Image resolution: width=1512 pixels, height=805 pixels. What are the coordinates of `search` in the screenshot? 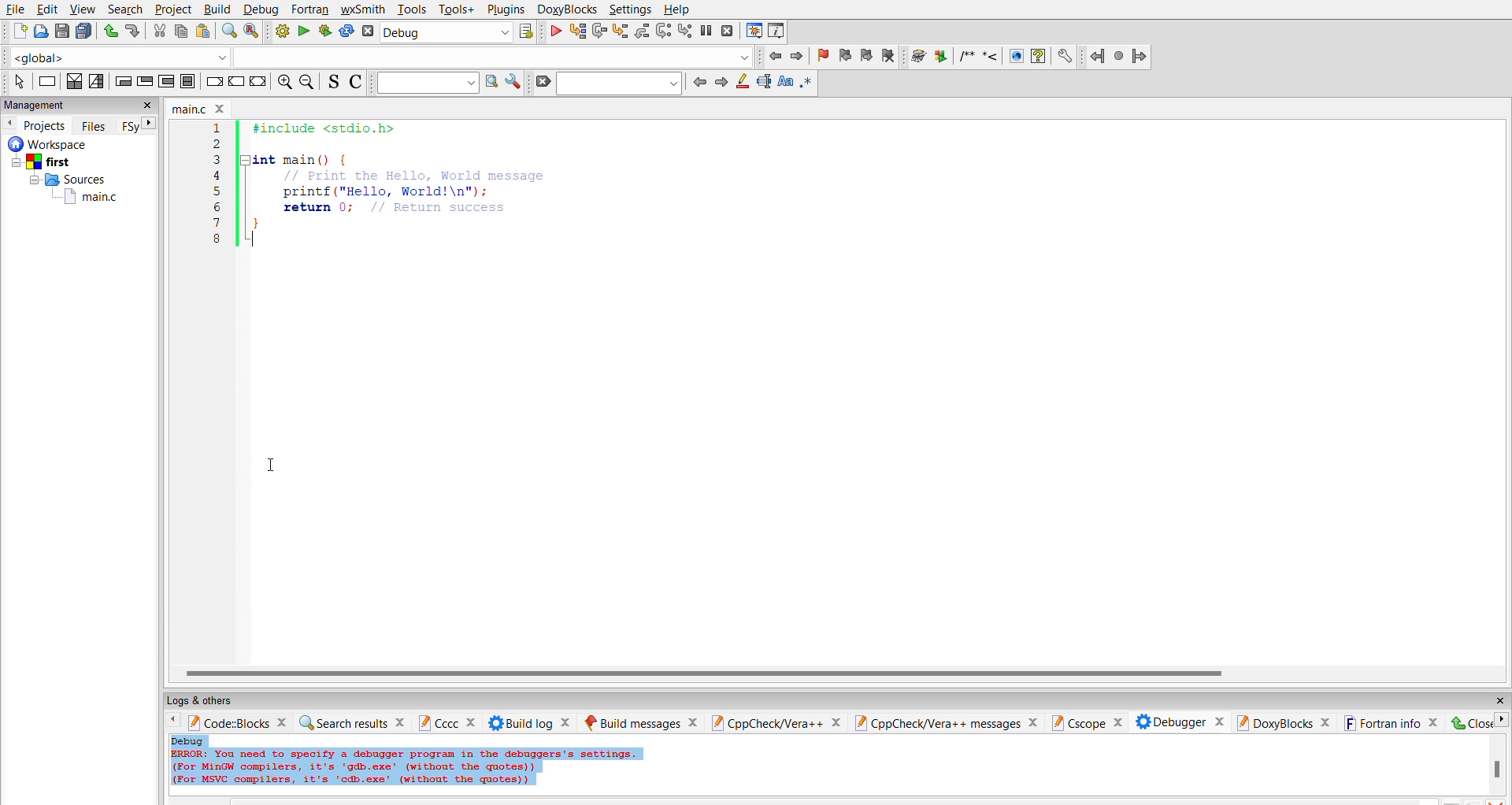 It's located at (125, 9).